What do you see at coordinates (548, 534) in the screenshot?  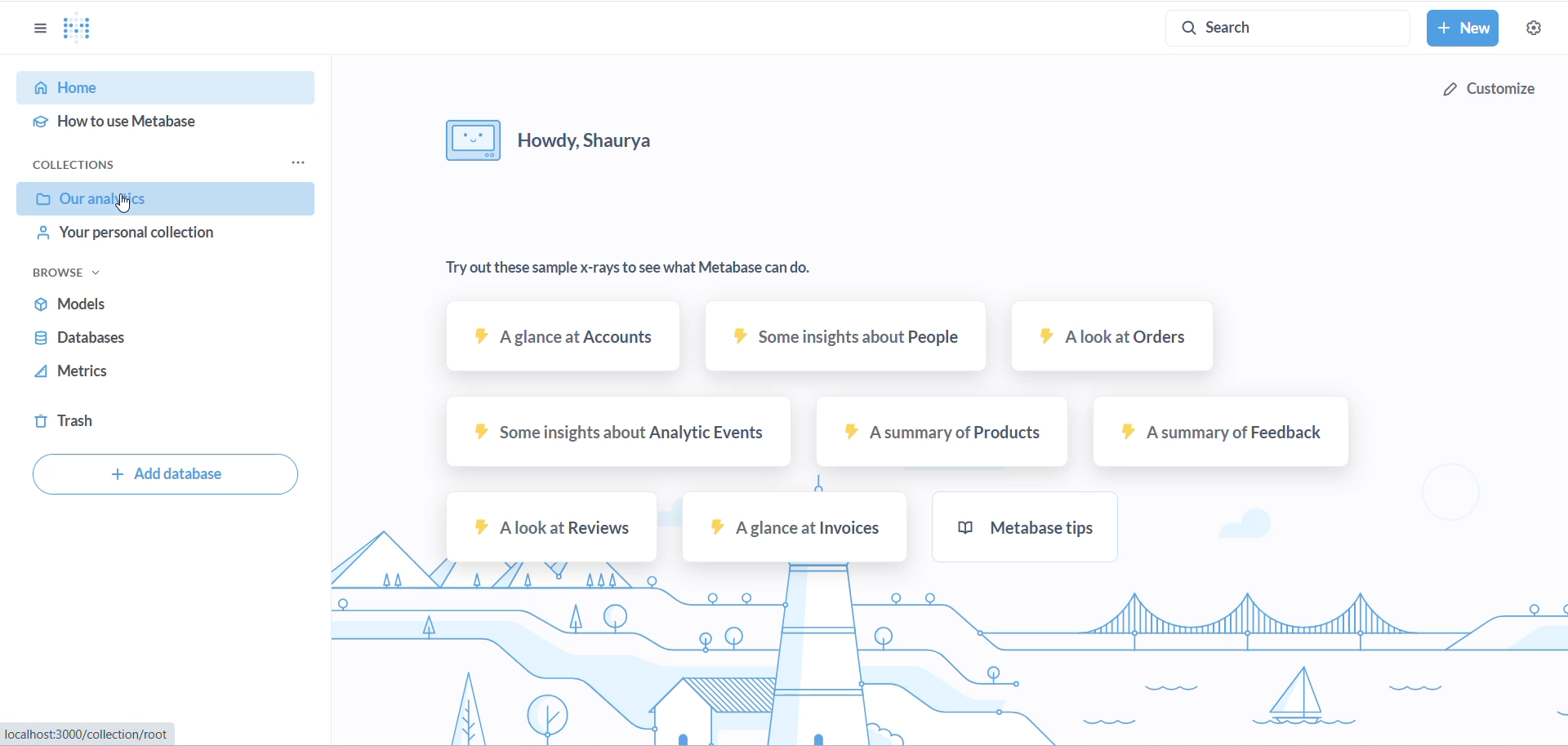 I see `A look at Reviews` at bounding box center [548, 534].